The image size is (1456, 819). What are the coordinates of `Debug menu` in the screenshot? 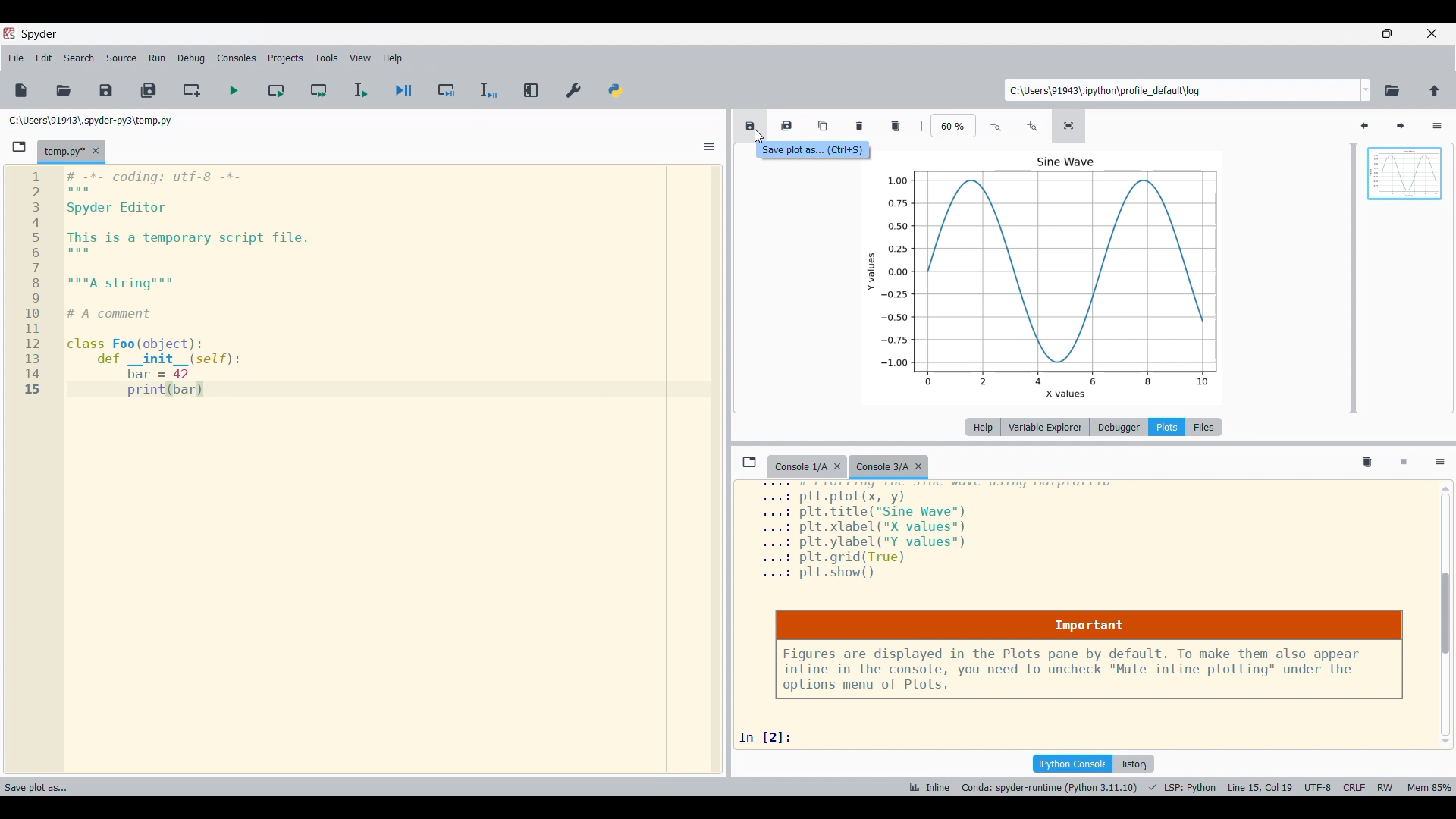 It's located at (191, 57).